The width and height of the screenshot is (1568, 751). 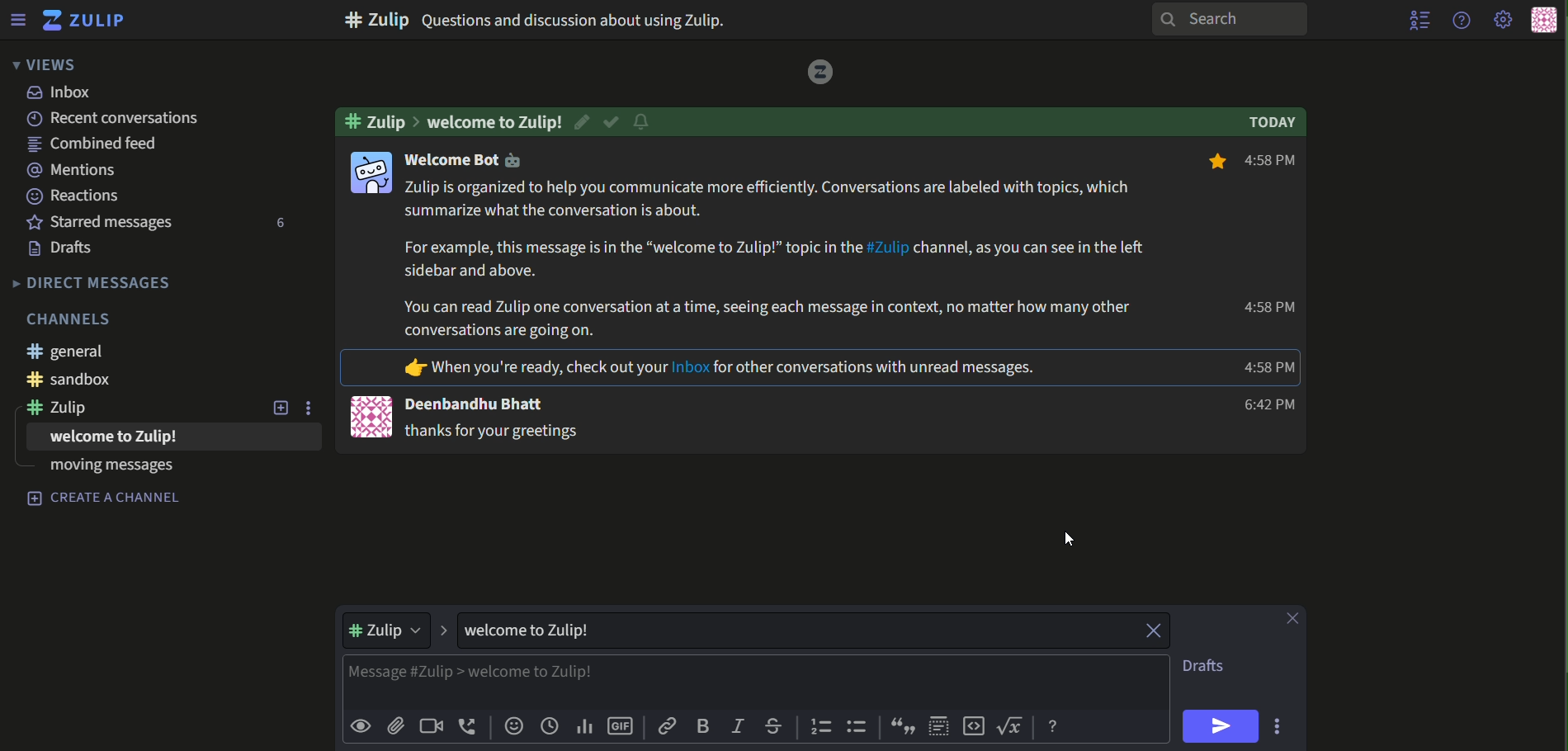 What do you see at coordinates (773, 726) in the screenshot?
I see `strikethrough` at bounding box center [773, 726].